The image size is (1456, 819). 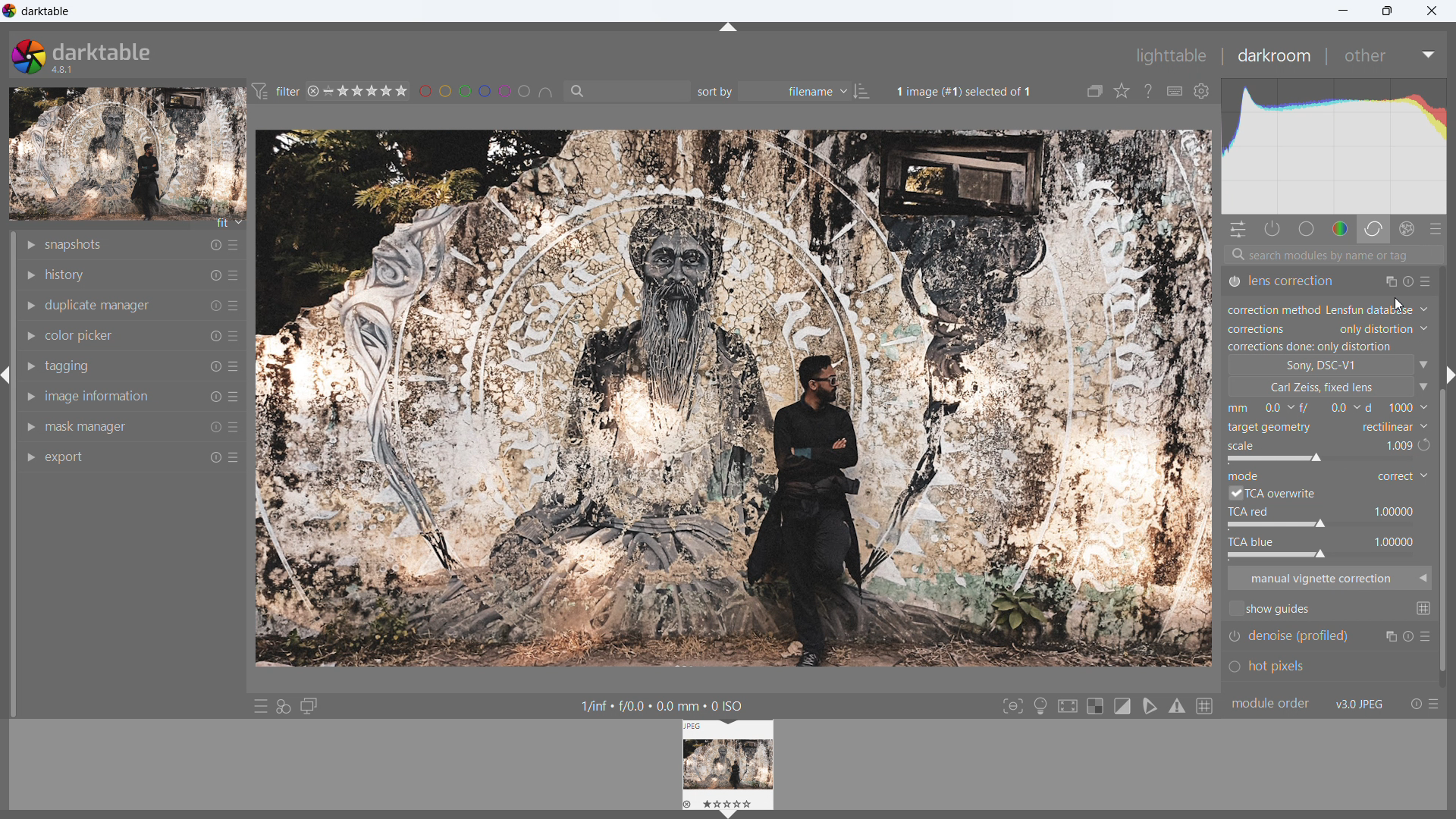 I want to click on more options, so click(x=236, y=454).